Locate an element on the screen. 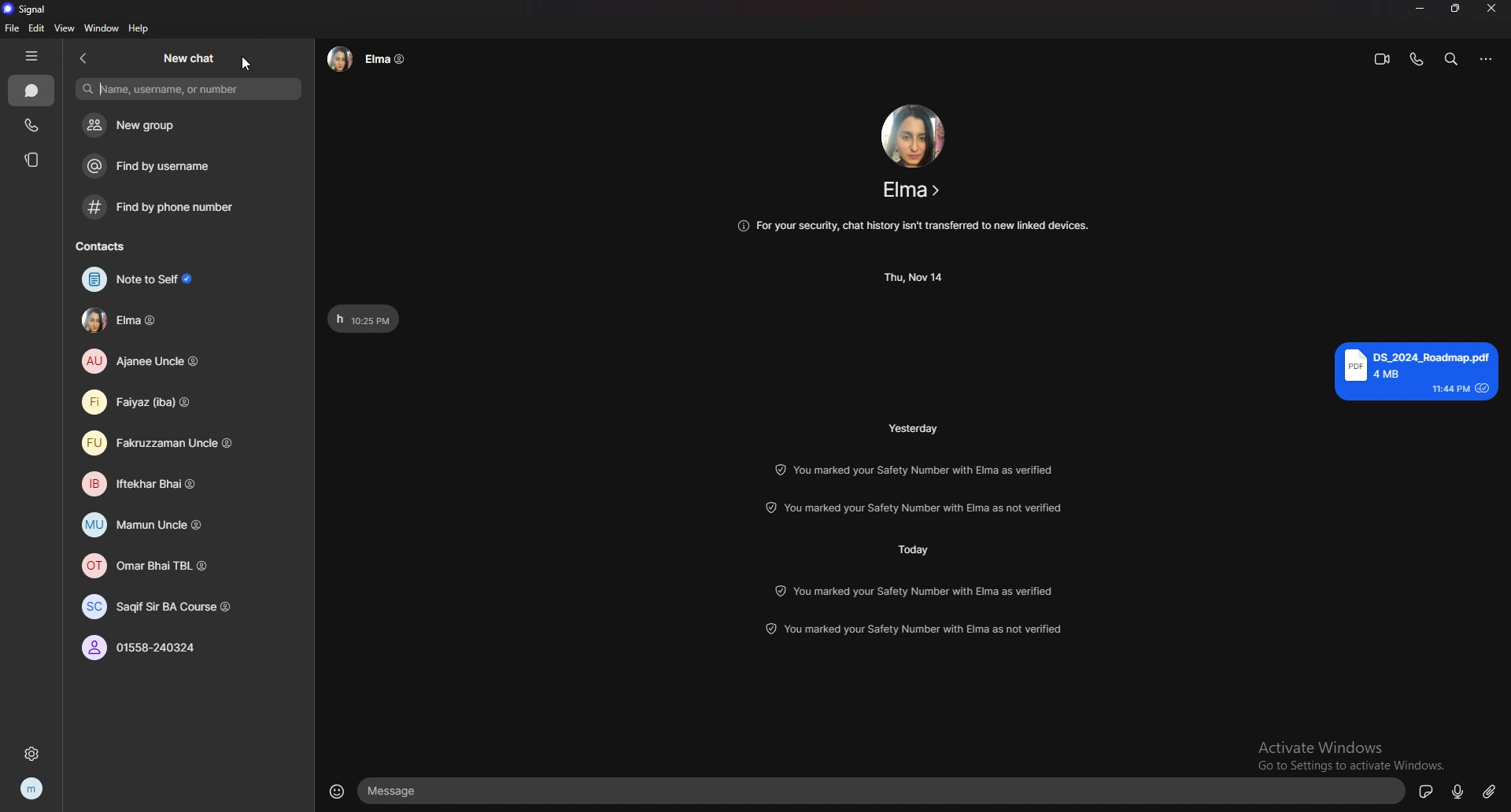  stories is located at coordinates (31, 159).